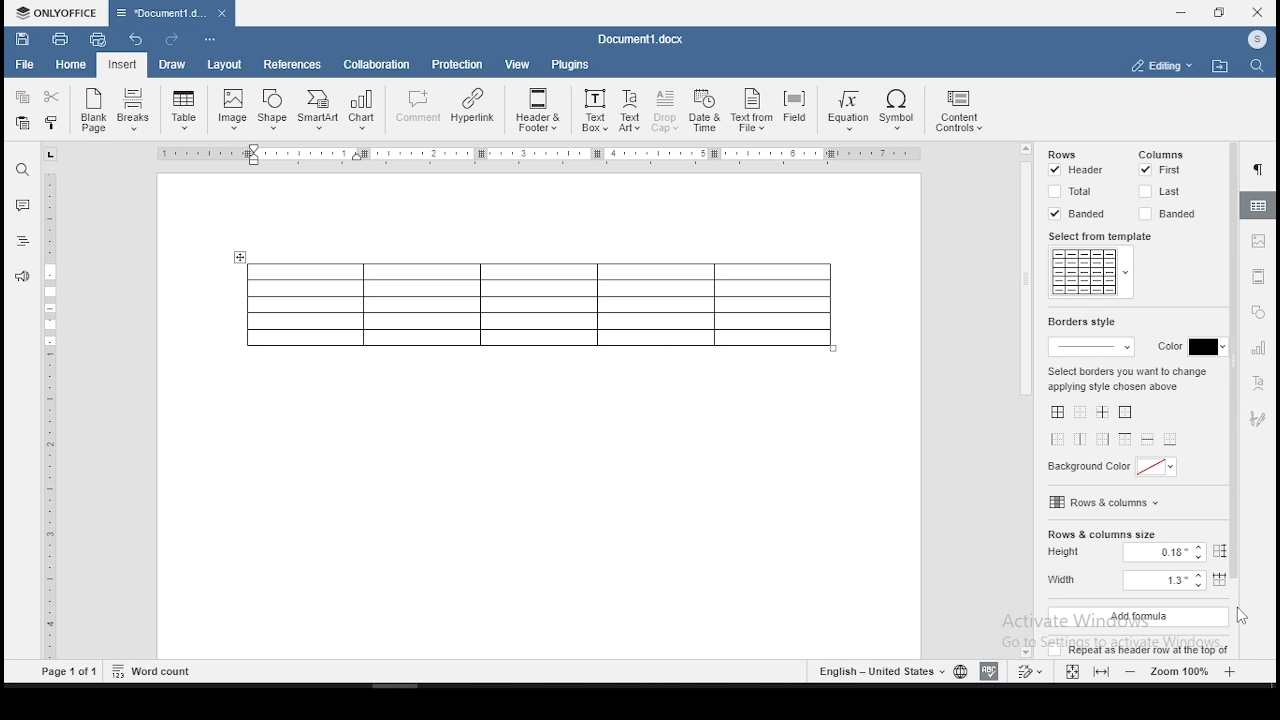 Image resolution: width=1280 pixels, height=720 pixels. Describe the element at coordinates (1170, 214) in the screenshot. I see `banded` at that location.